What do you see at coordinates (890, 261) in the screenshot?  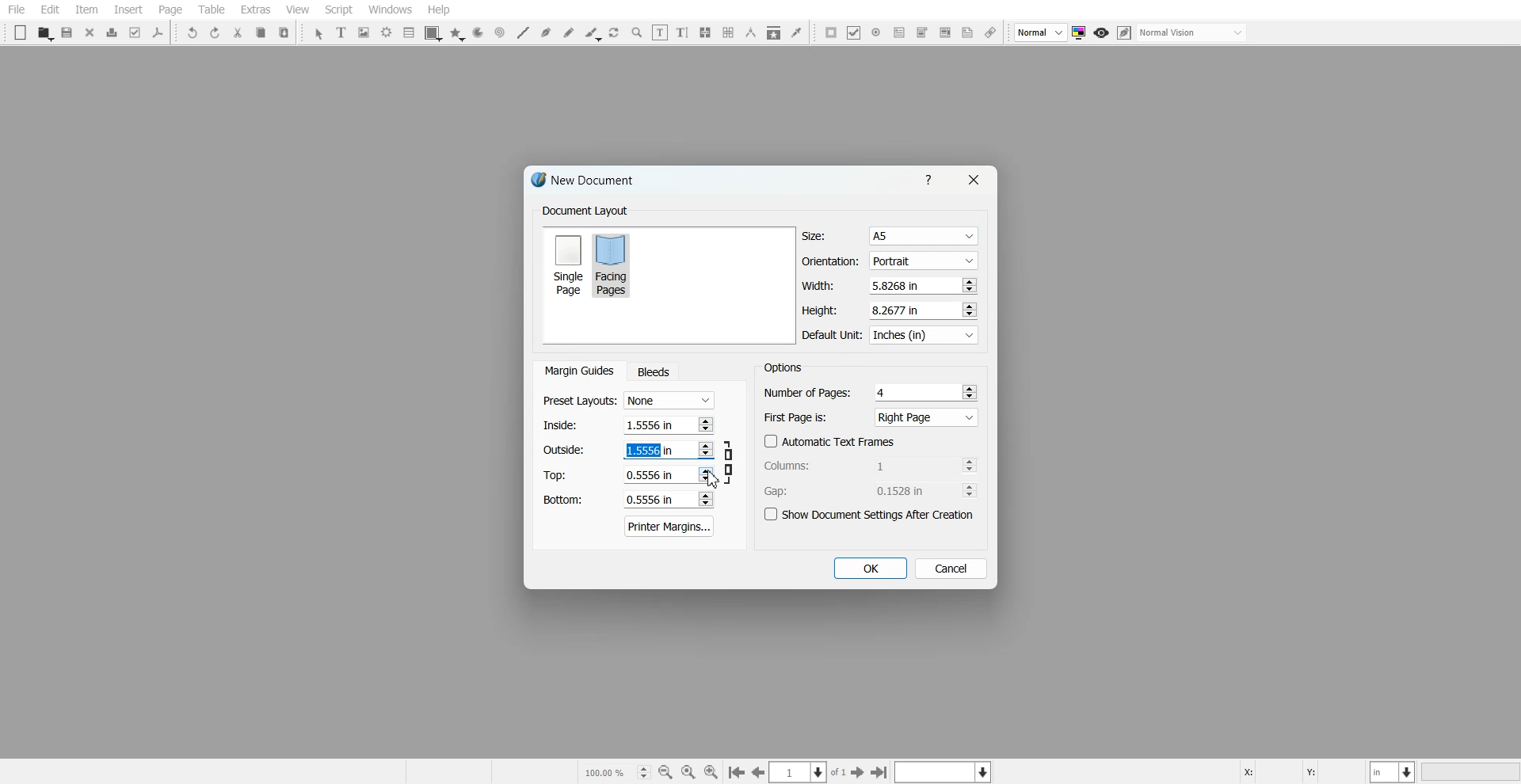 I see `Orientation` at bounding box center [890, 261].